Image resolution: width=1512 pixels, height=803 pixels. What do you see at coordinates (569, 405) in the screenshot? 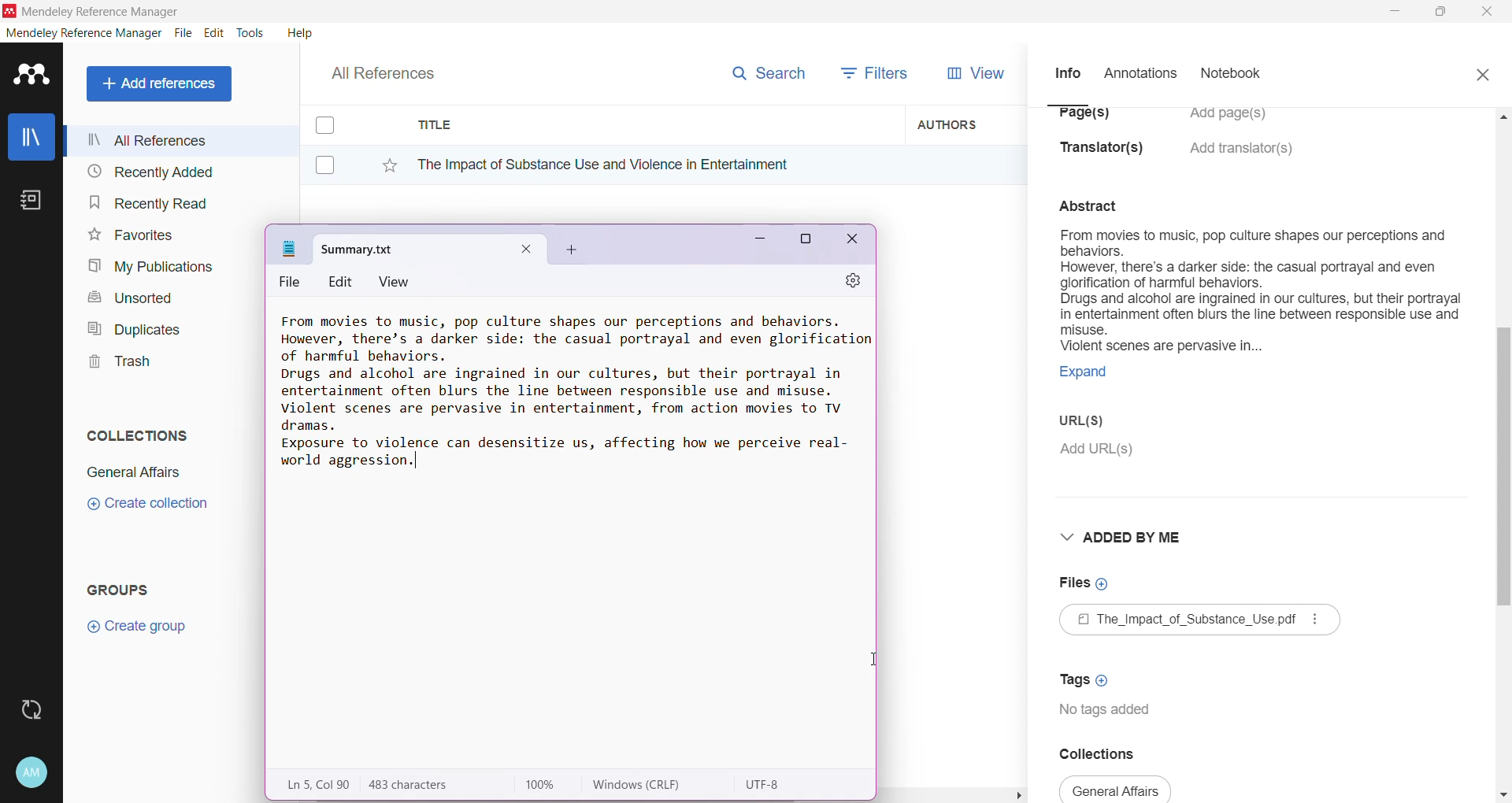
I see `Document Summary copied and pasted to a notepad on System ` at bounding box center [569, 405].